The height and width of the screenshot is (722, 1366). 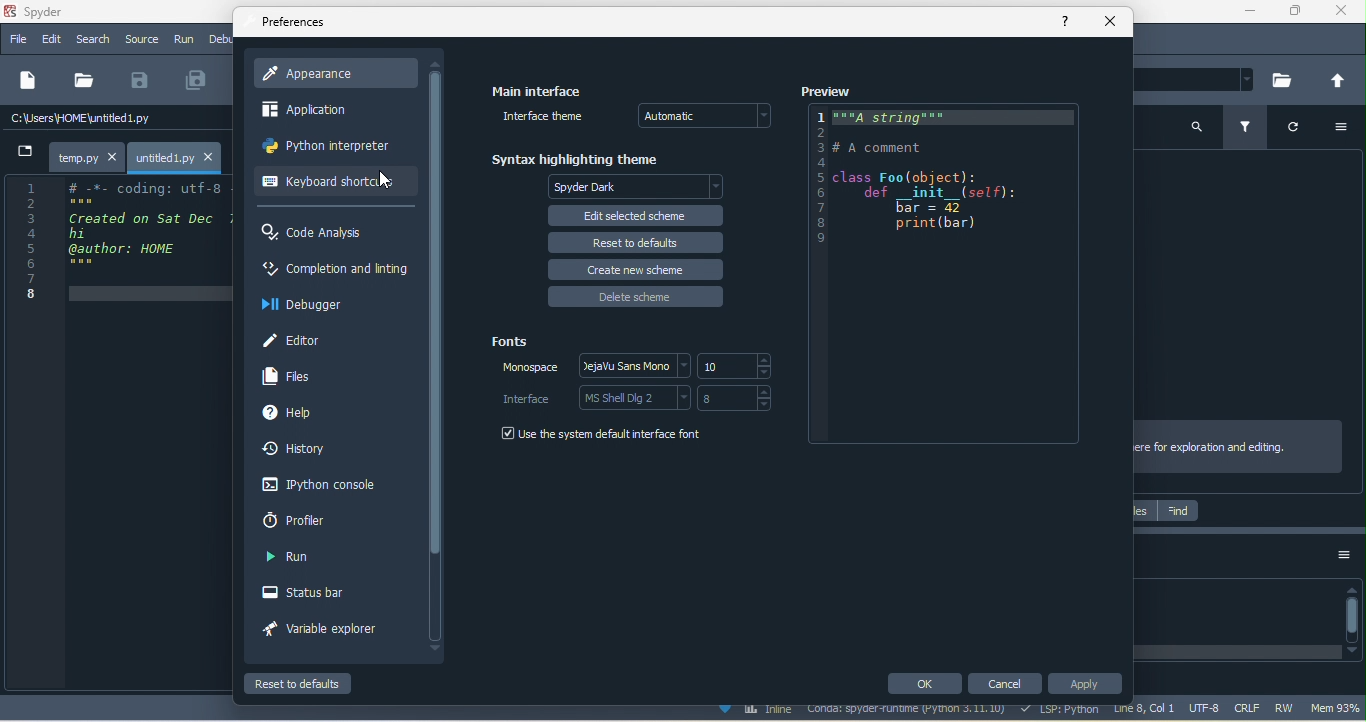 I want to click on titled, so click(x=64, y=13).